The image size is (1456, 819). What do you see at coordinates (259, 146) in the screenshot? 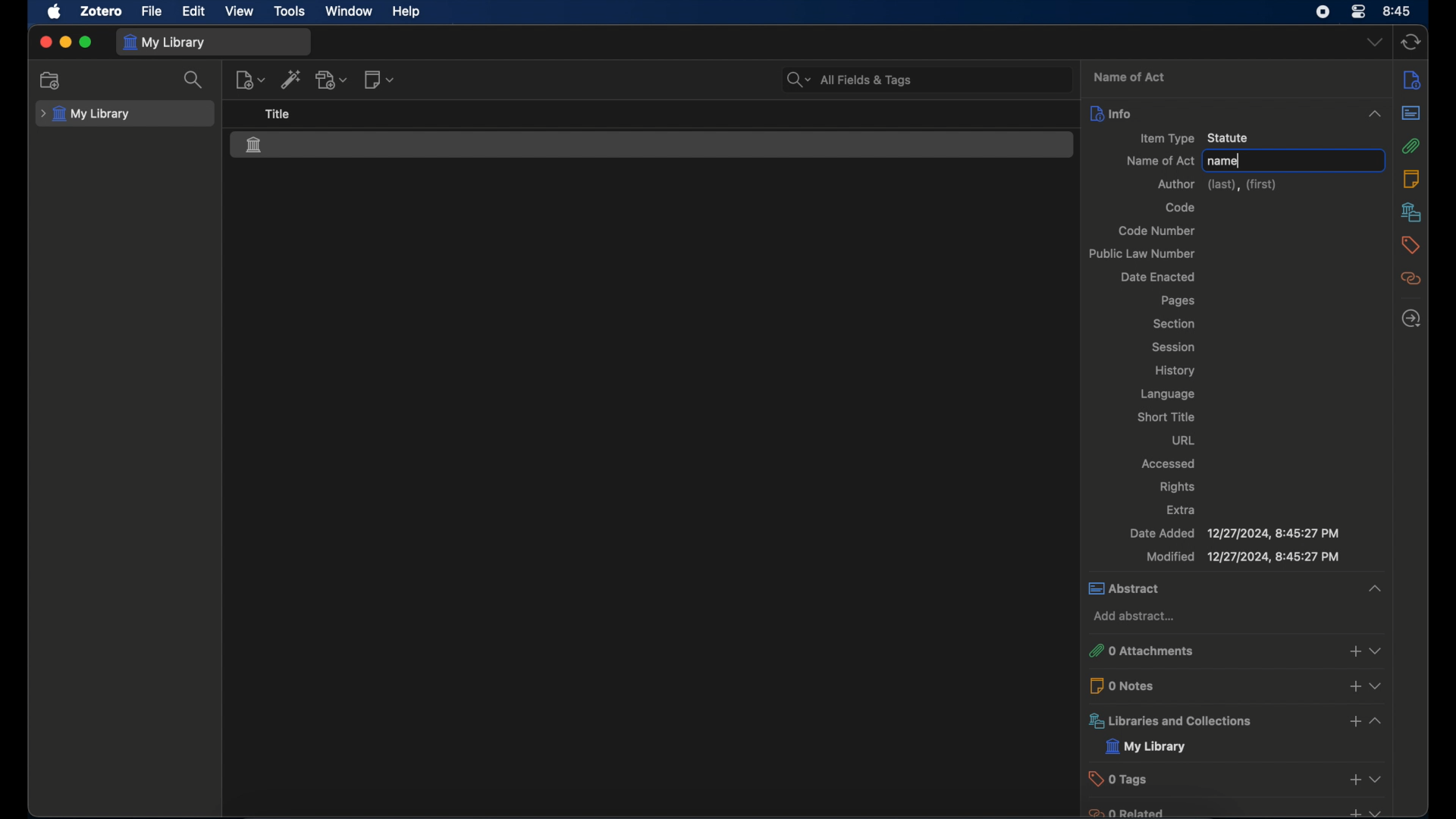
I see `statue` at bounding box center [259, 146].